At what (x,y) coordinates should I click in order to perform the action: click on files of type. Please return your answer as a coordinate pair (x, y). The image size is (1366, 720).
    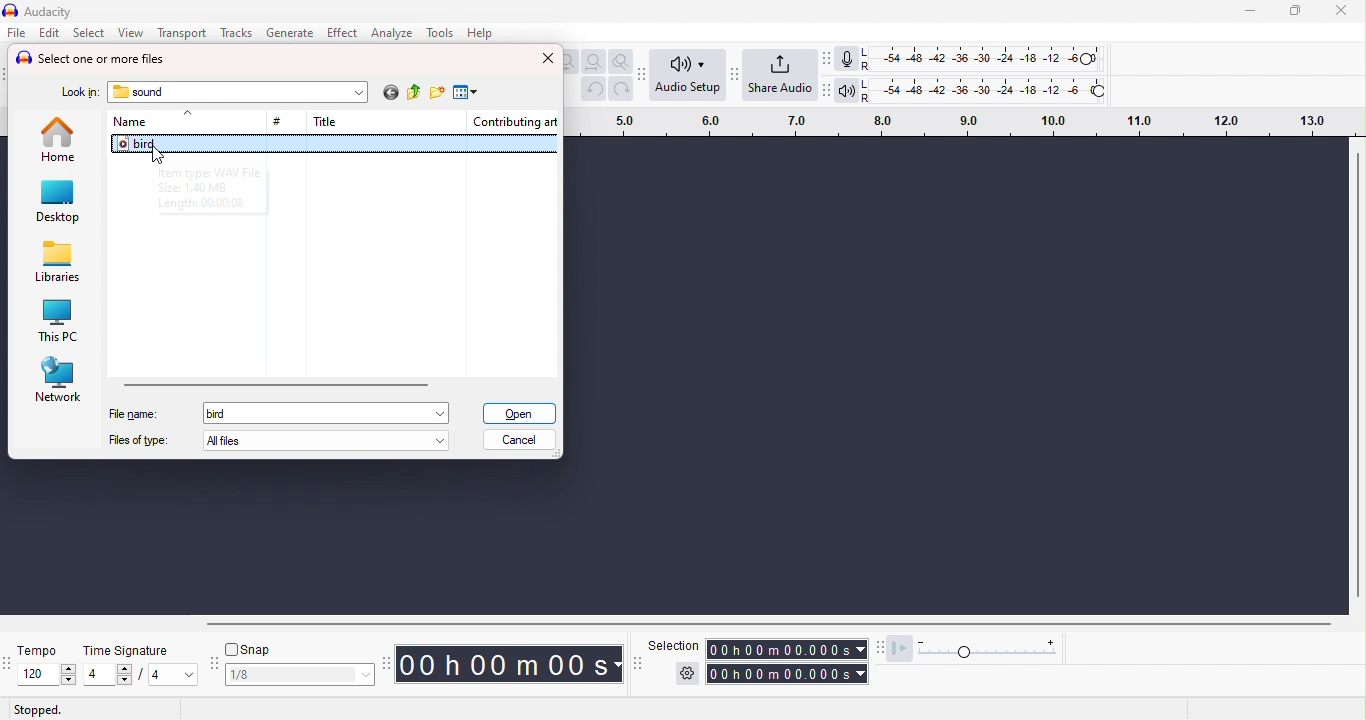
    Looking at the image, I should click on (138, 440).